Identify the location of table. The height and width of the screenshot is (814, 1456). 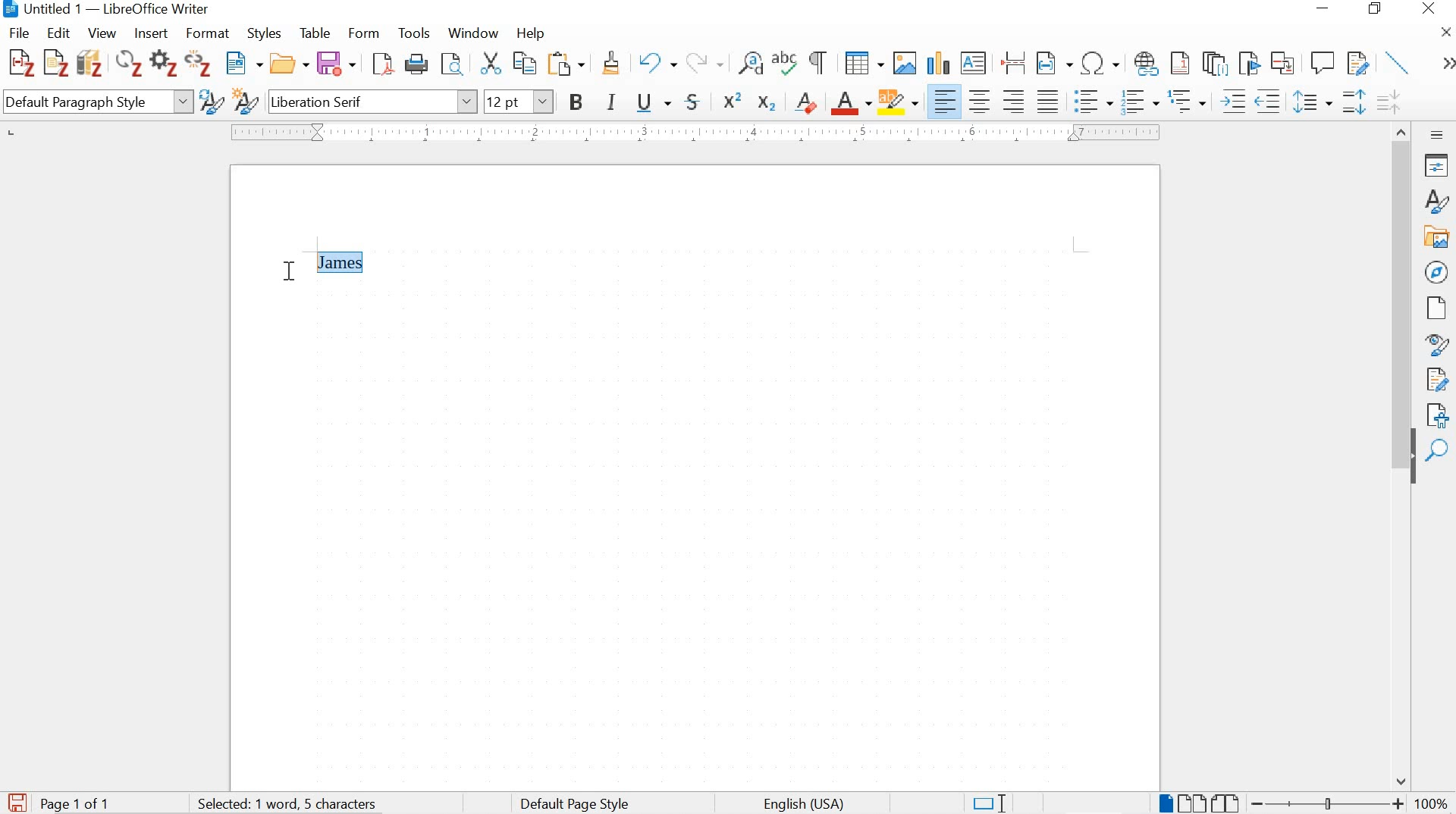
(315, 33).